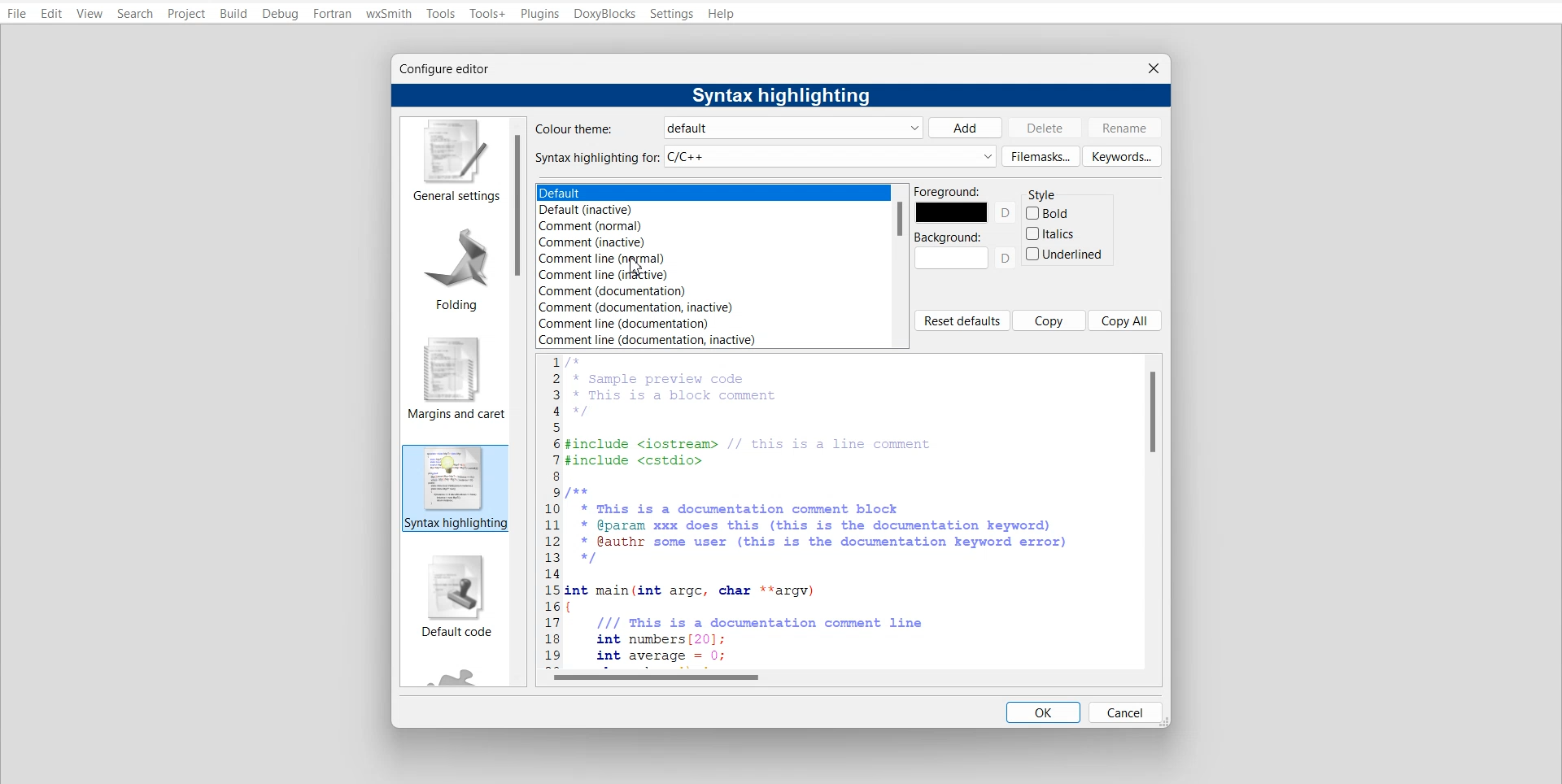  Describe the element at coordinates (1153, 66) in the screenshot. I see `Close` at that location.